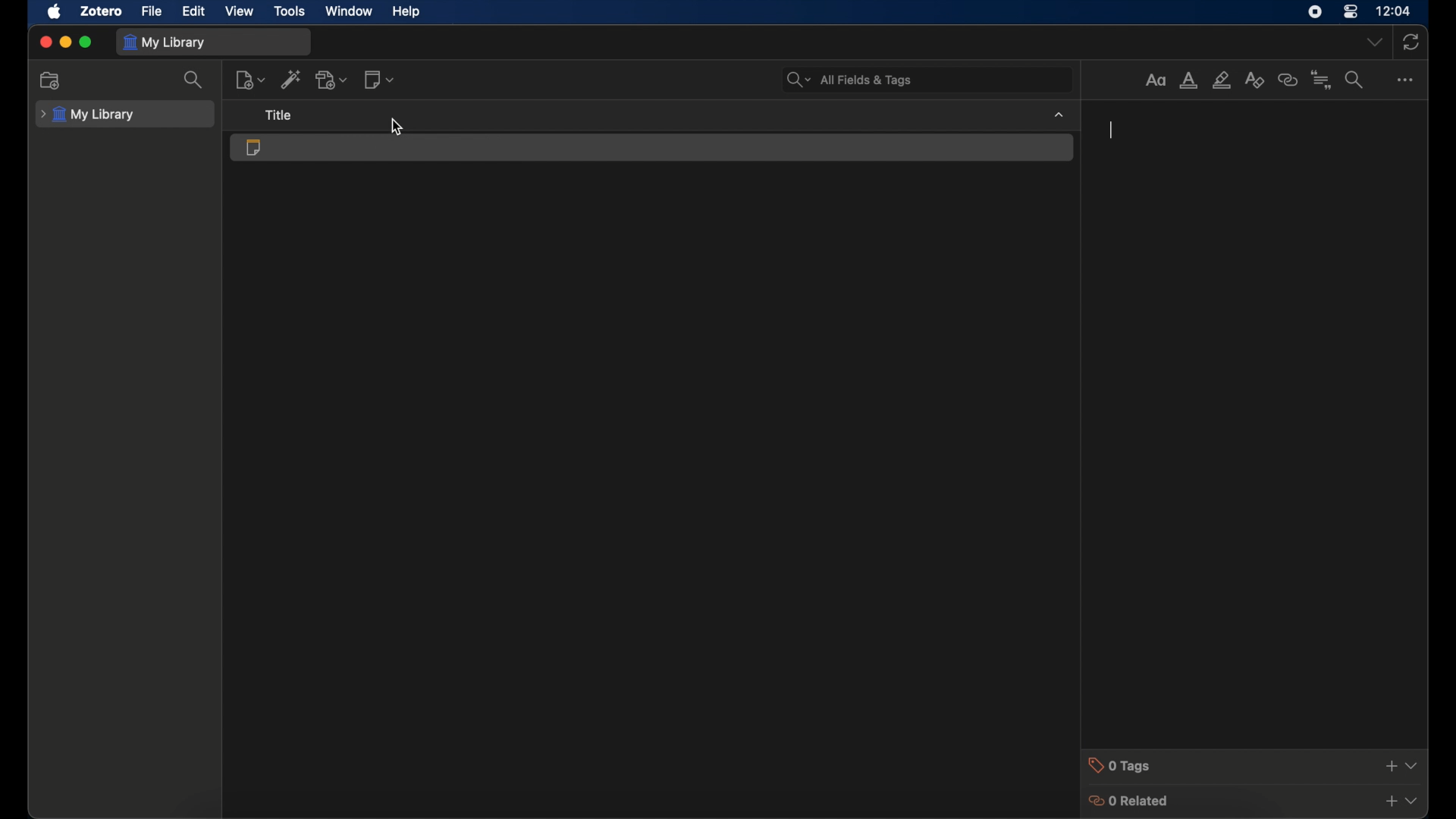  What do you see at coordinates (194, 11) in the screenshot?
I see `edit` at bounding box center [194, 11].